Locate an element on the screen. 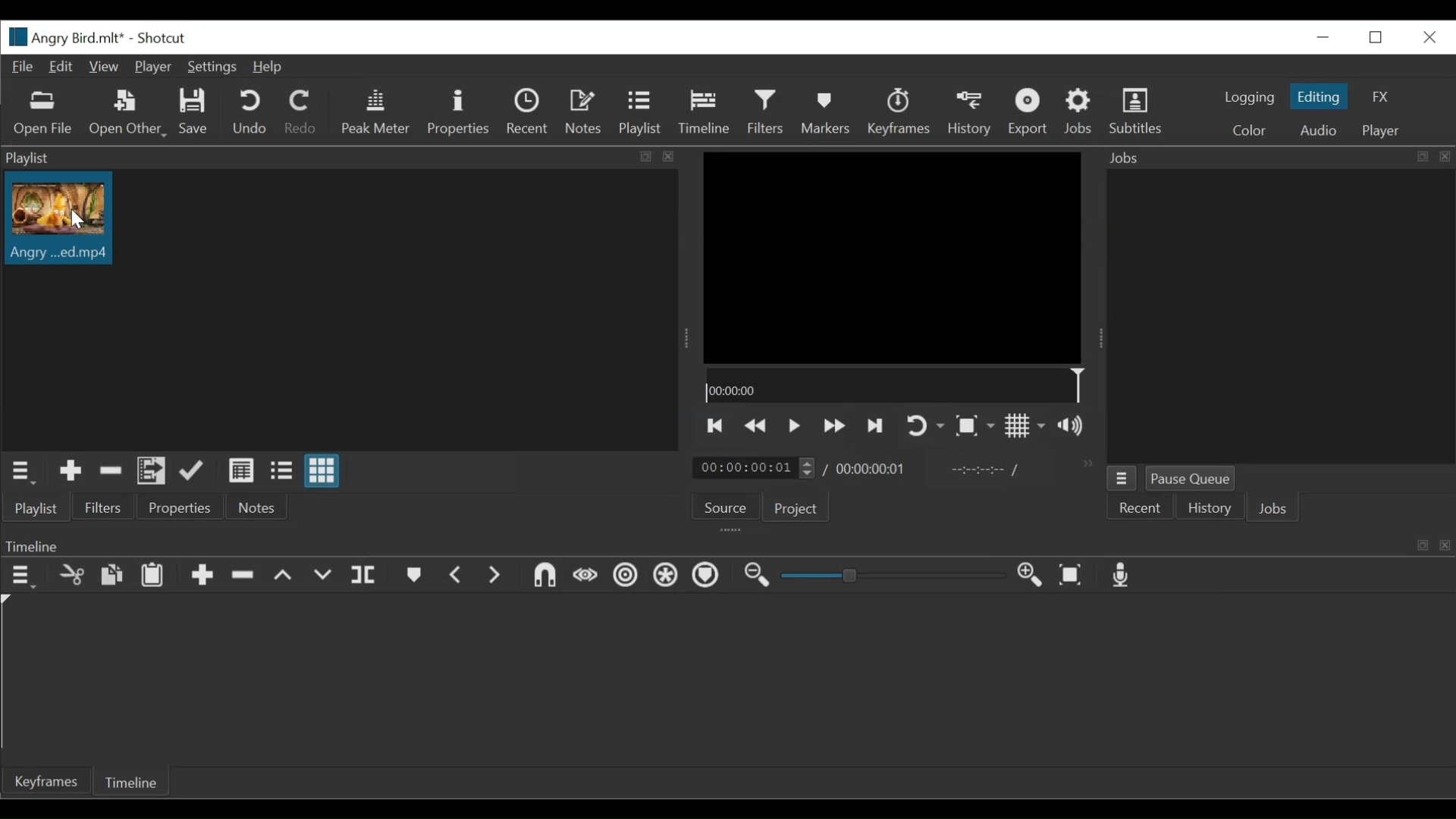  logging is located at coordinates (1250, 99).